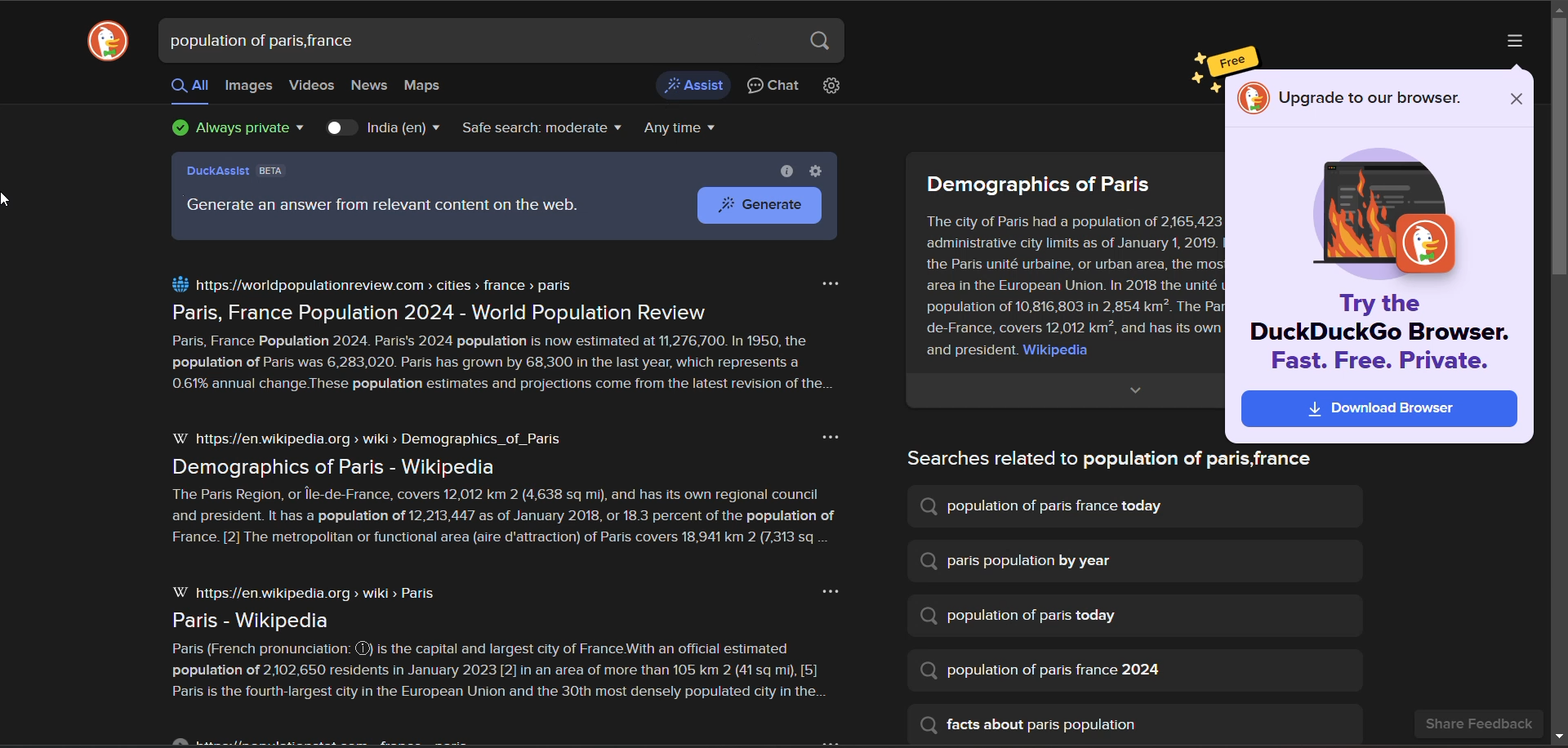 The image size is (1568, 748). I want to click on maps, so click(430, 86).